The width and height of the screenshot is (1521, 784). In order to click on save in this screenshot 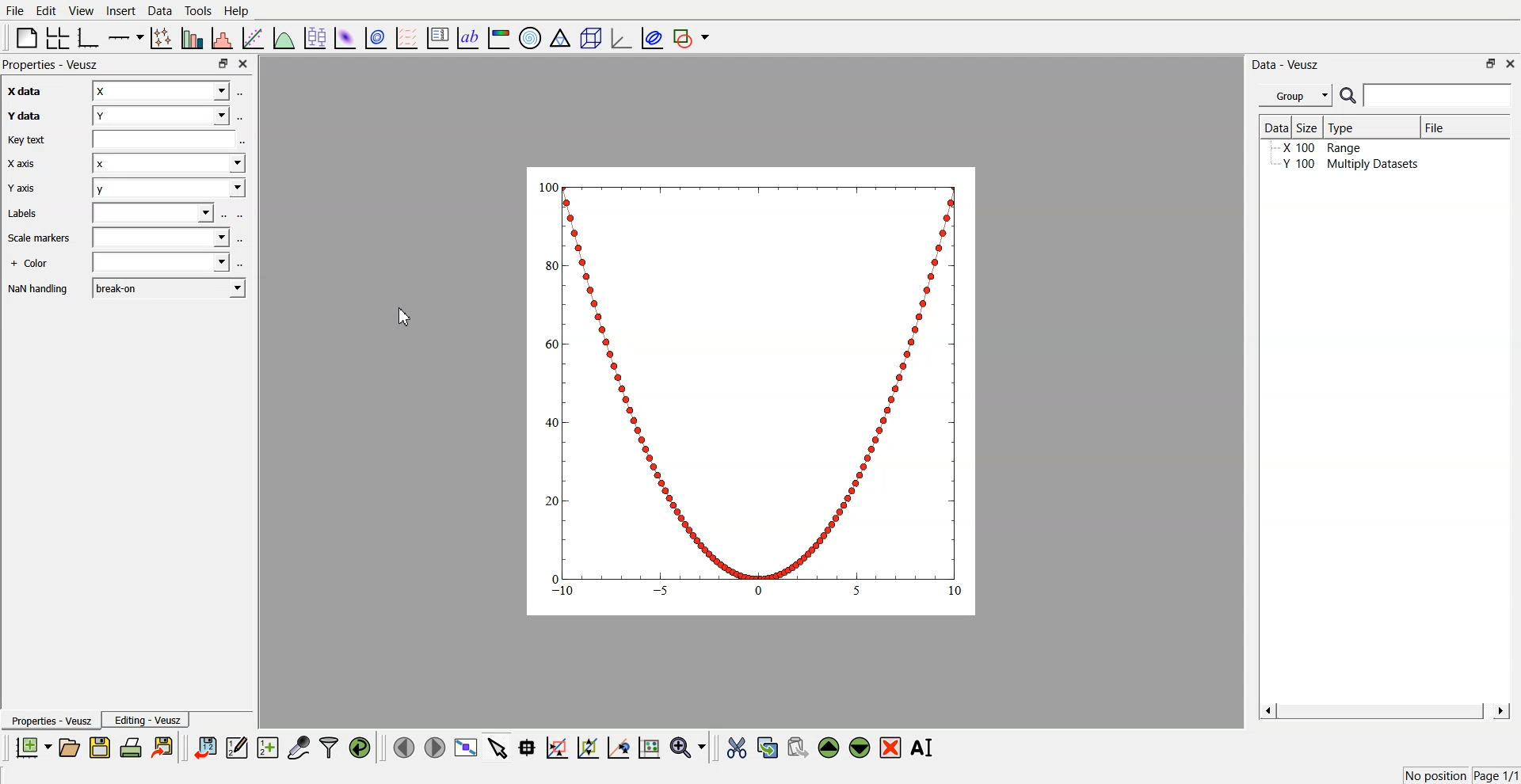, I will do `click(102, 748)`.